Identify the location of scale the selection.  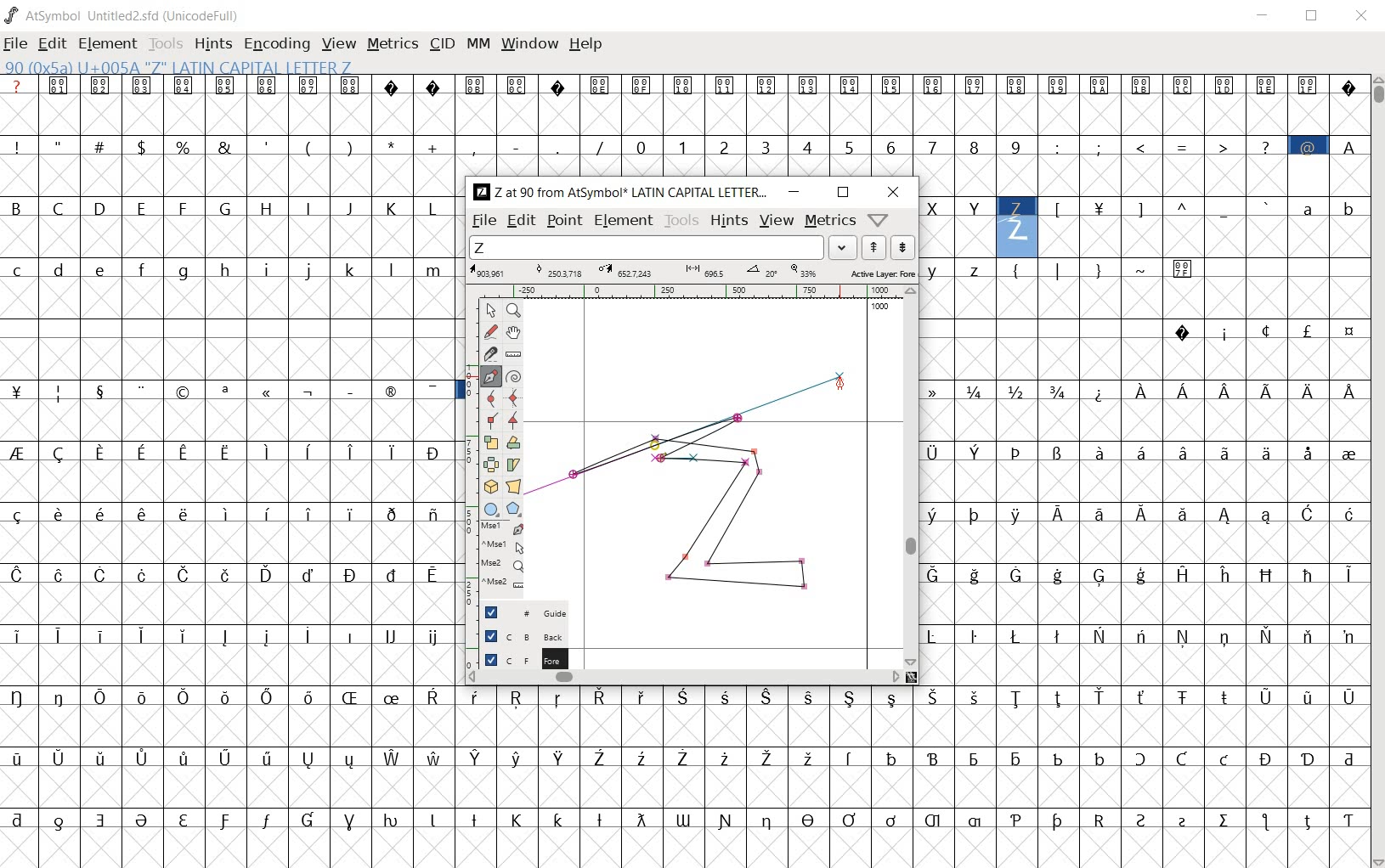
(489, 443).